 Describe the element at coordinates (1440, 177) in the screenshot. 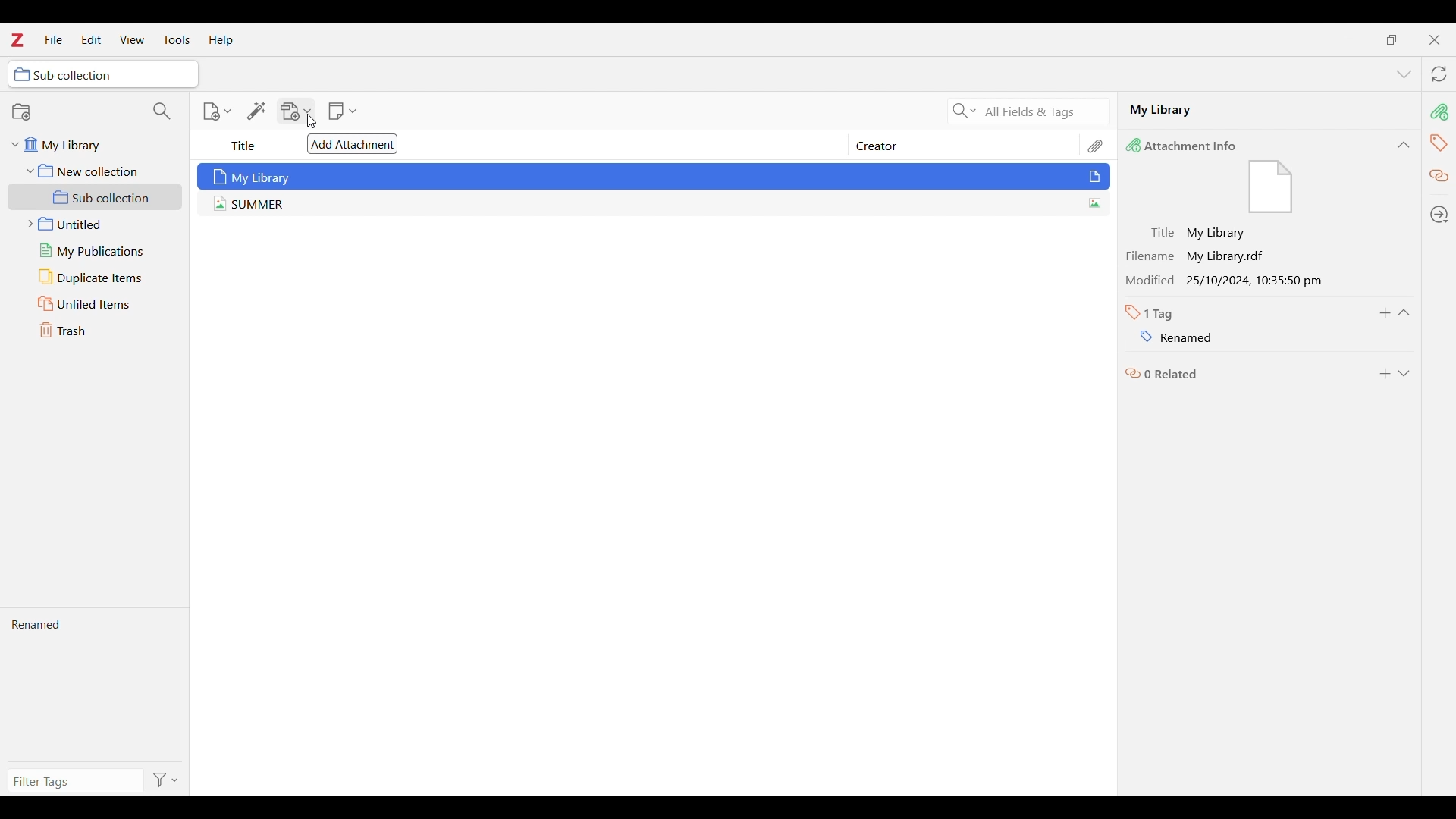

I see `Related` at that location.